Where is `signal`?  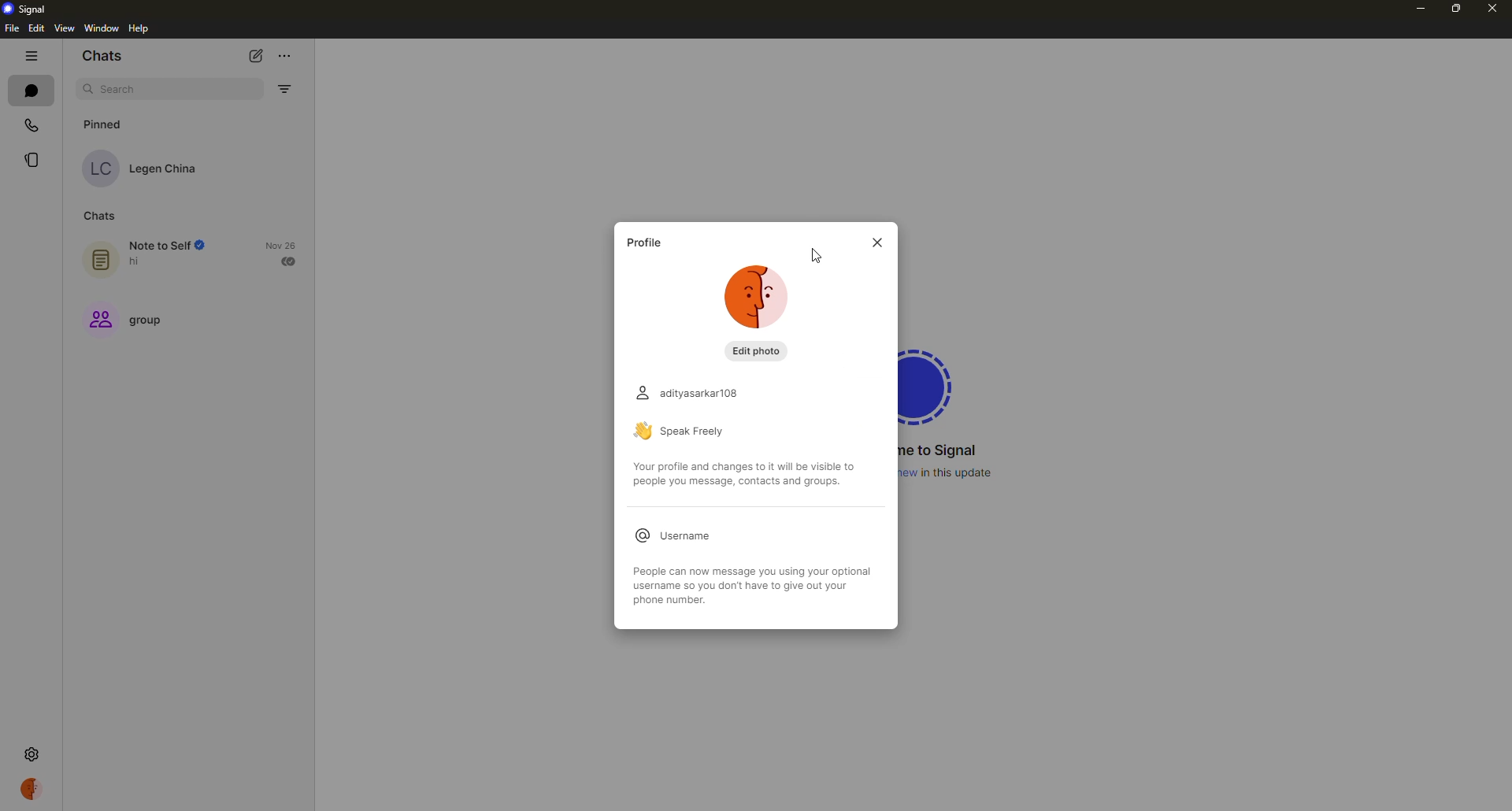 signal is located at coordinates (934, 383).